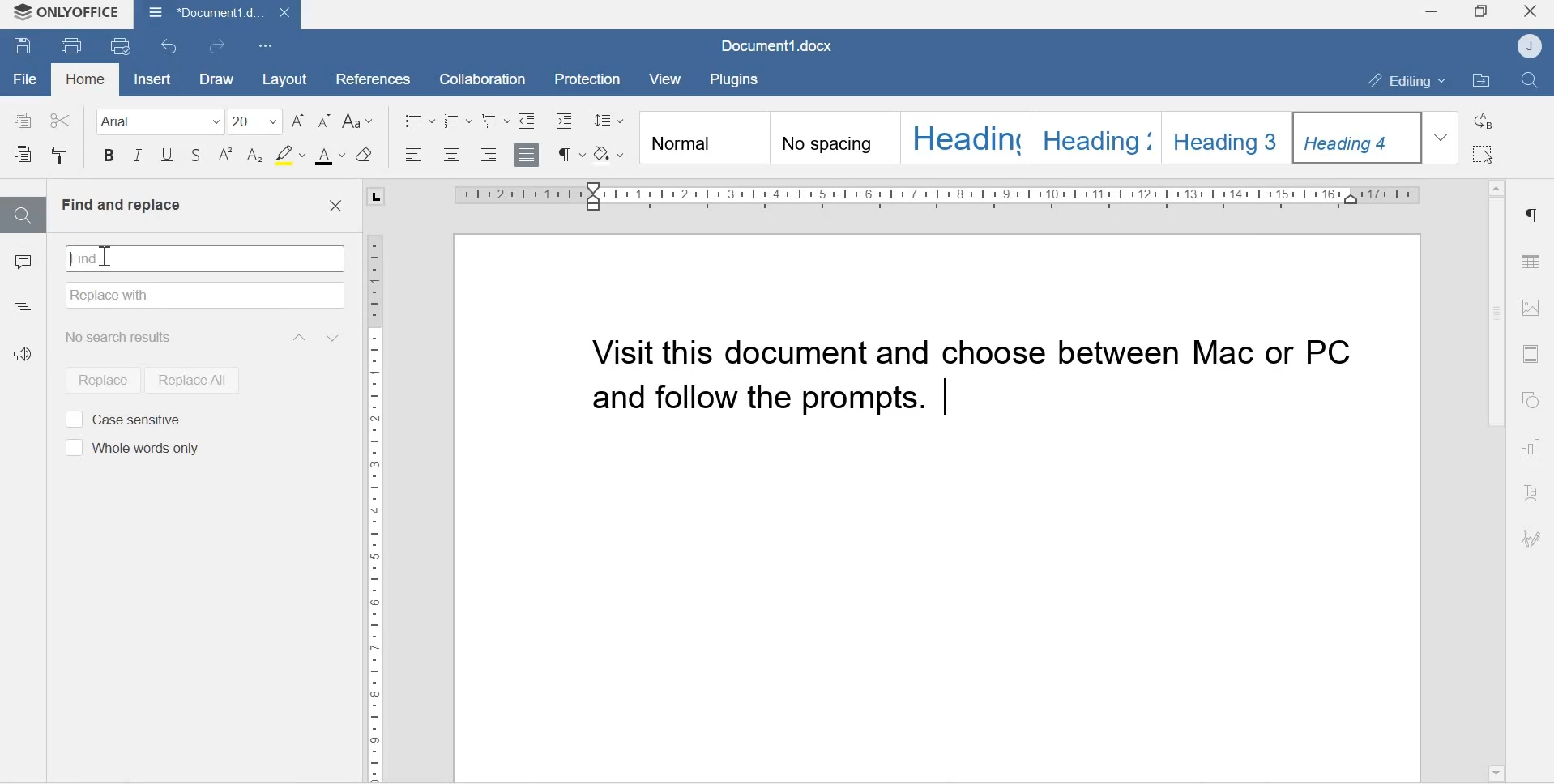  I want to click on Scale, so click(948, 198).